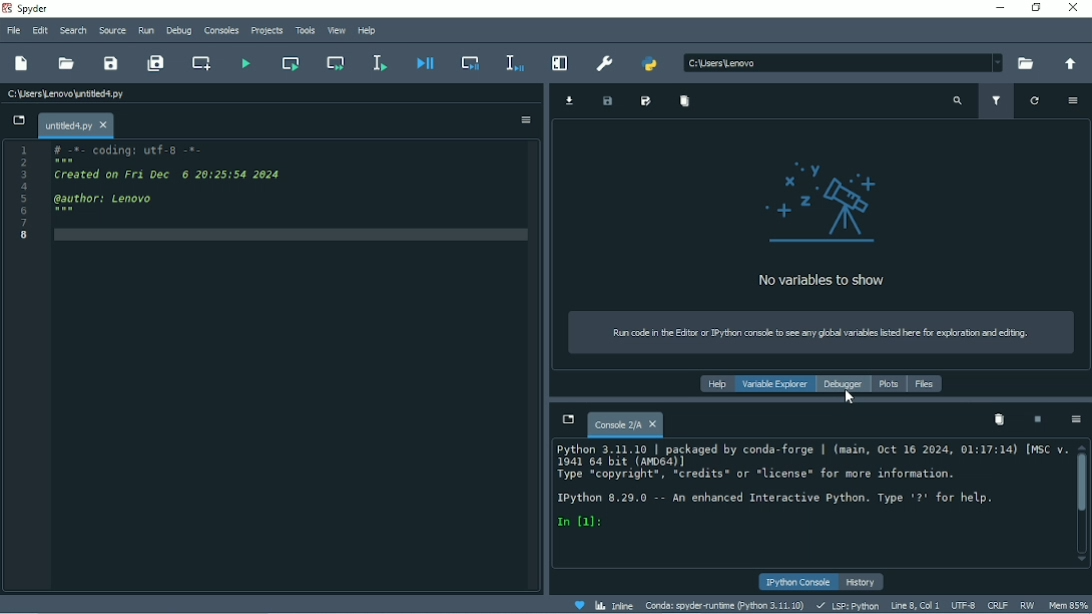 The width and height of the screenshot is (1092, 614). Describe the element at coordinates (379, 63) in the screenshot. I see `Run selection or current line` at that location.